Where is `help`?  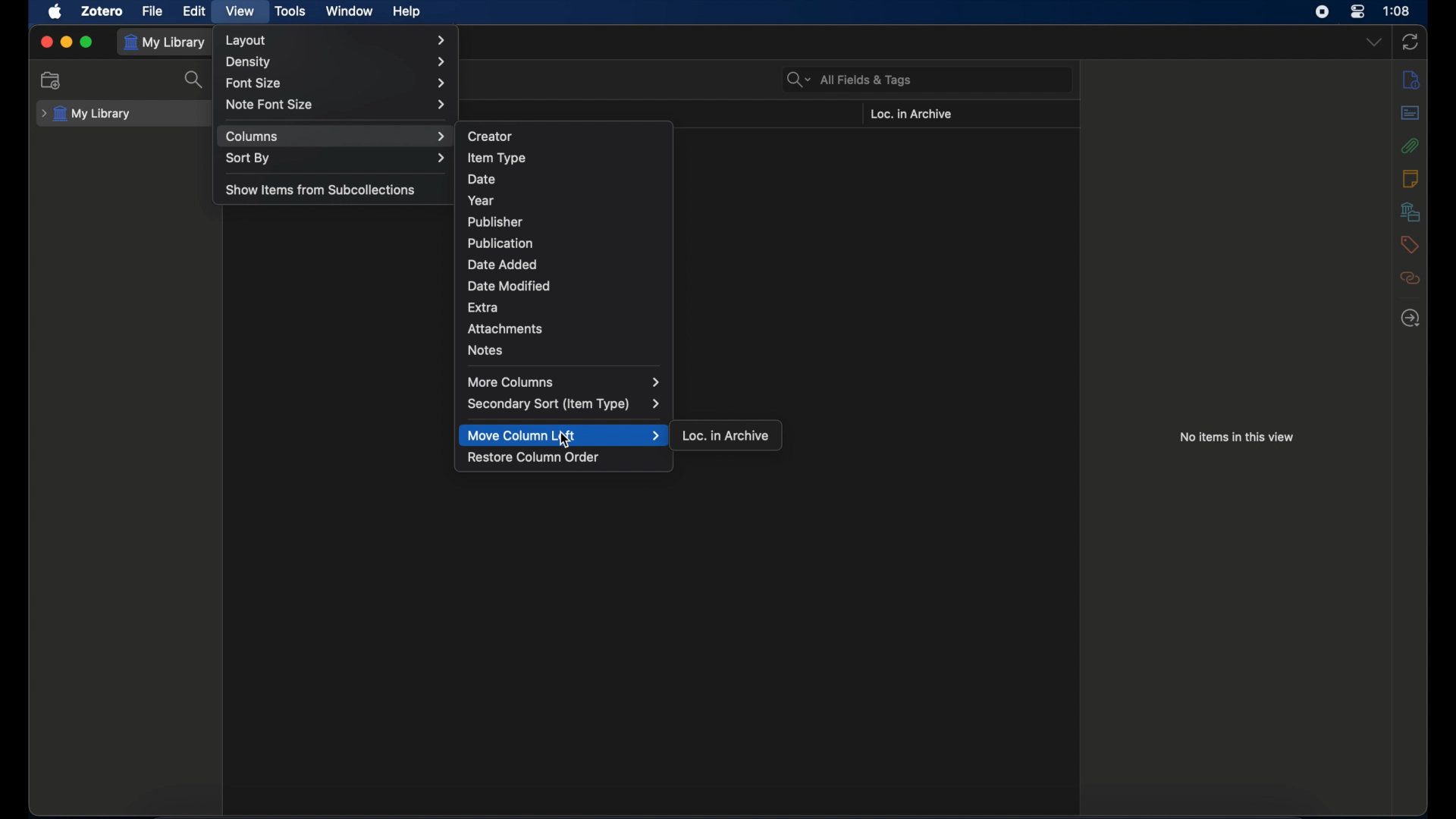 help is located at coordinates (406, 12).